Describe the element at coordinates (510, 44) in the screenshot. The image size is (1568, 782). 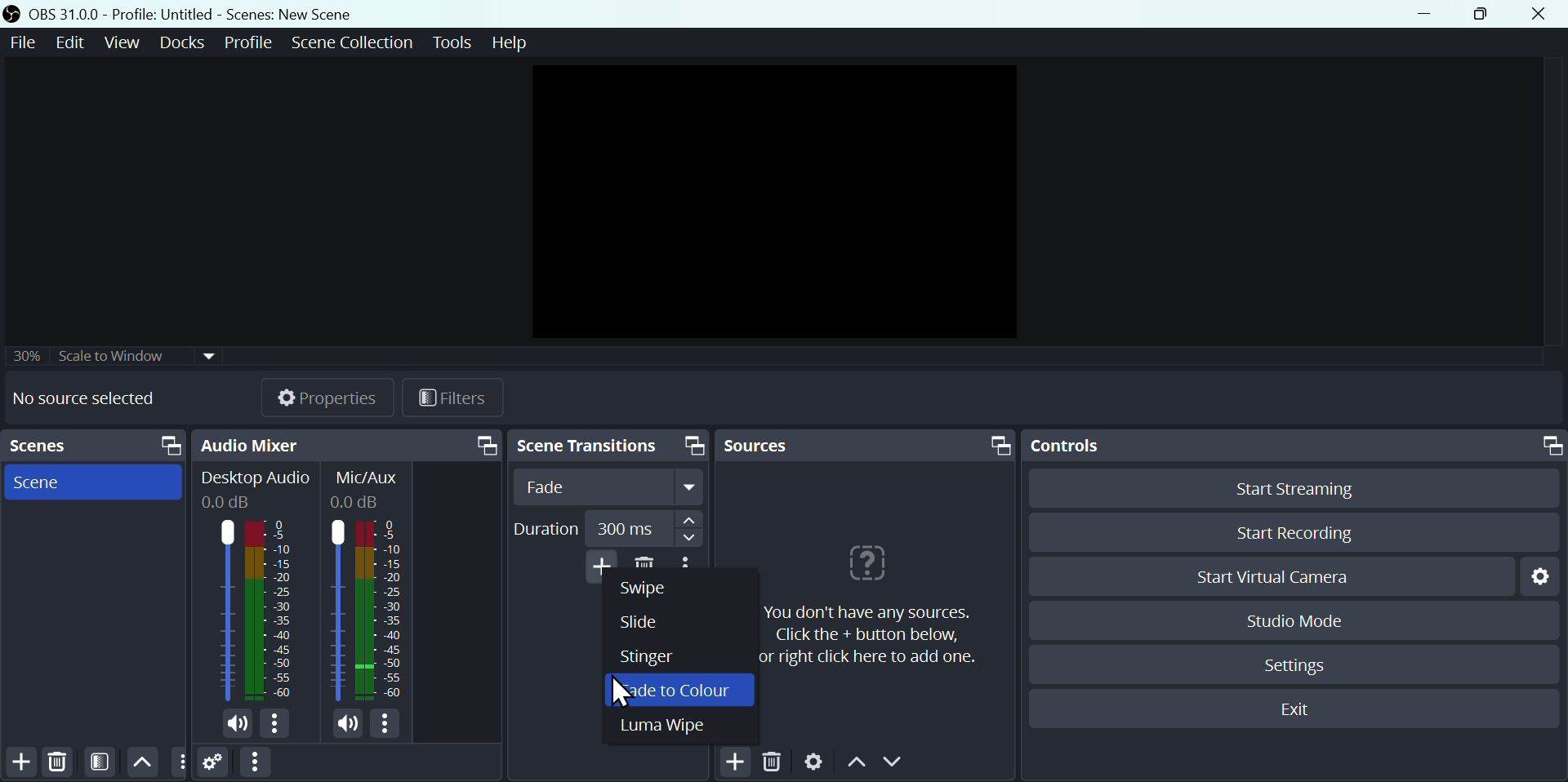
I see `` at that location.